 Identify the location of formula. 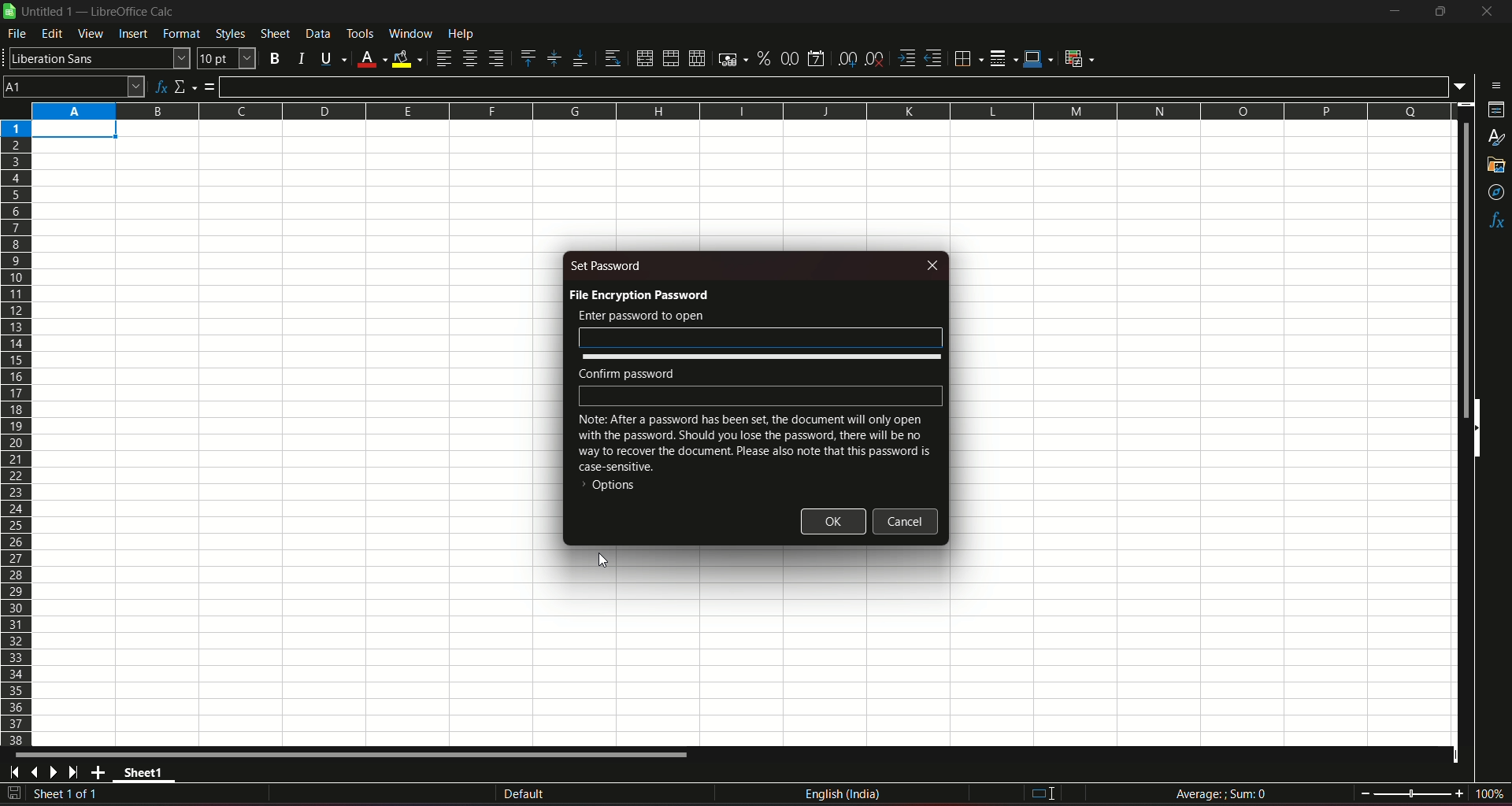
(1221, 793).